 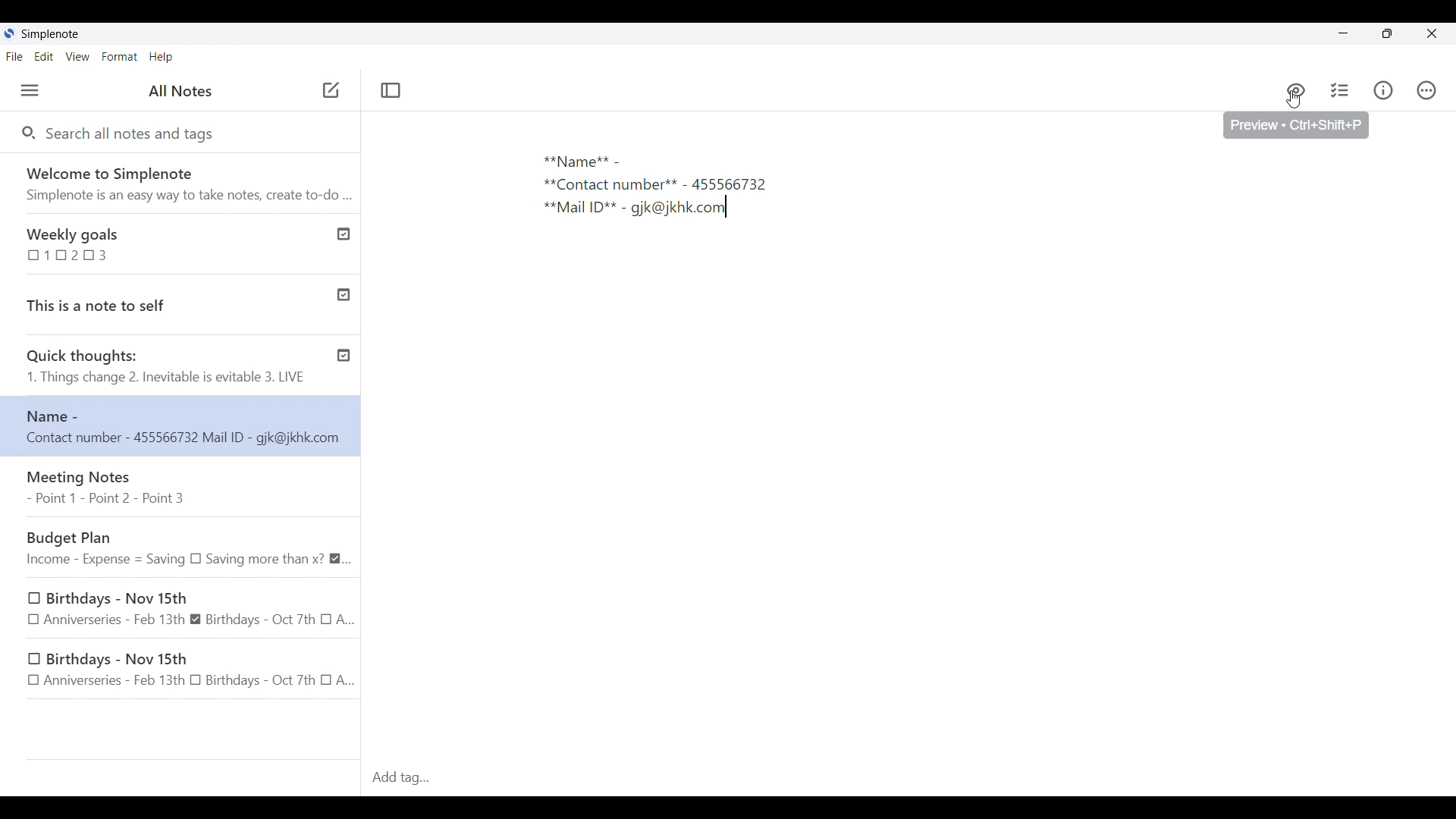 What do you see at coordinates (14, 56) in the screenshot?
I see `File menu` at bounding box center [14, 56].